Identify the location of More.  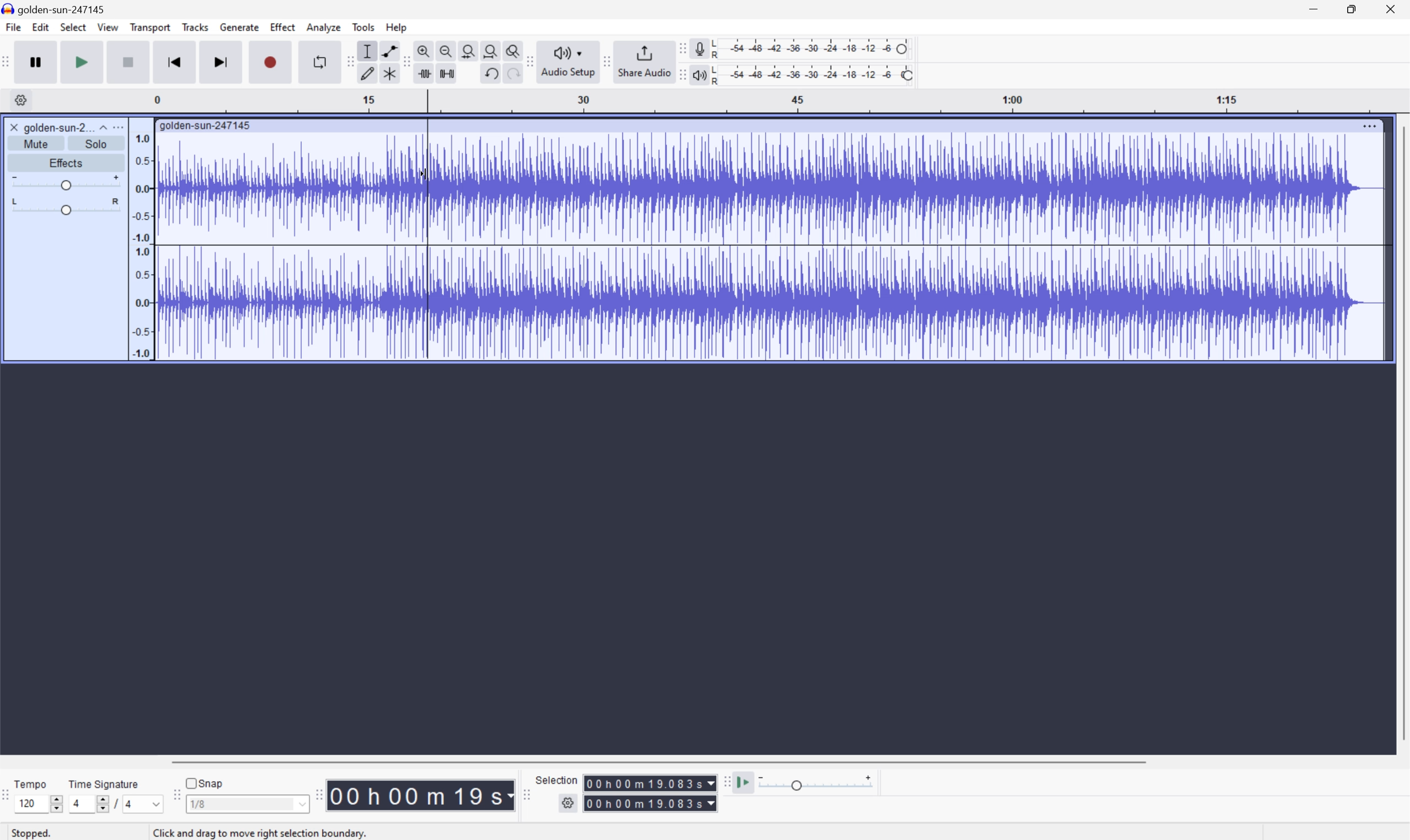
(121, 126).